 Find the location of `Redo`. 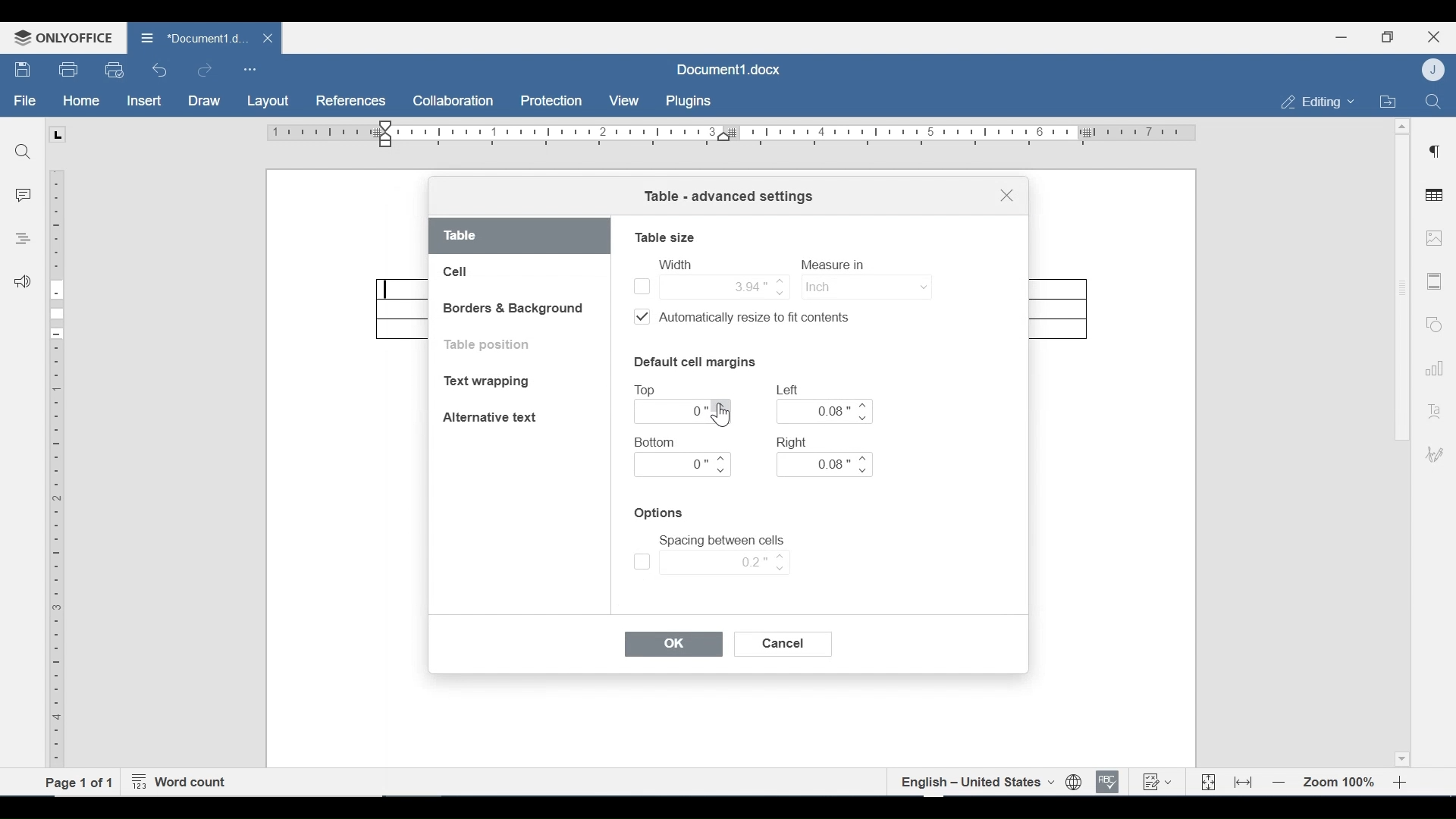

Redo is located at coordinates (204, 71).